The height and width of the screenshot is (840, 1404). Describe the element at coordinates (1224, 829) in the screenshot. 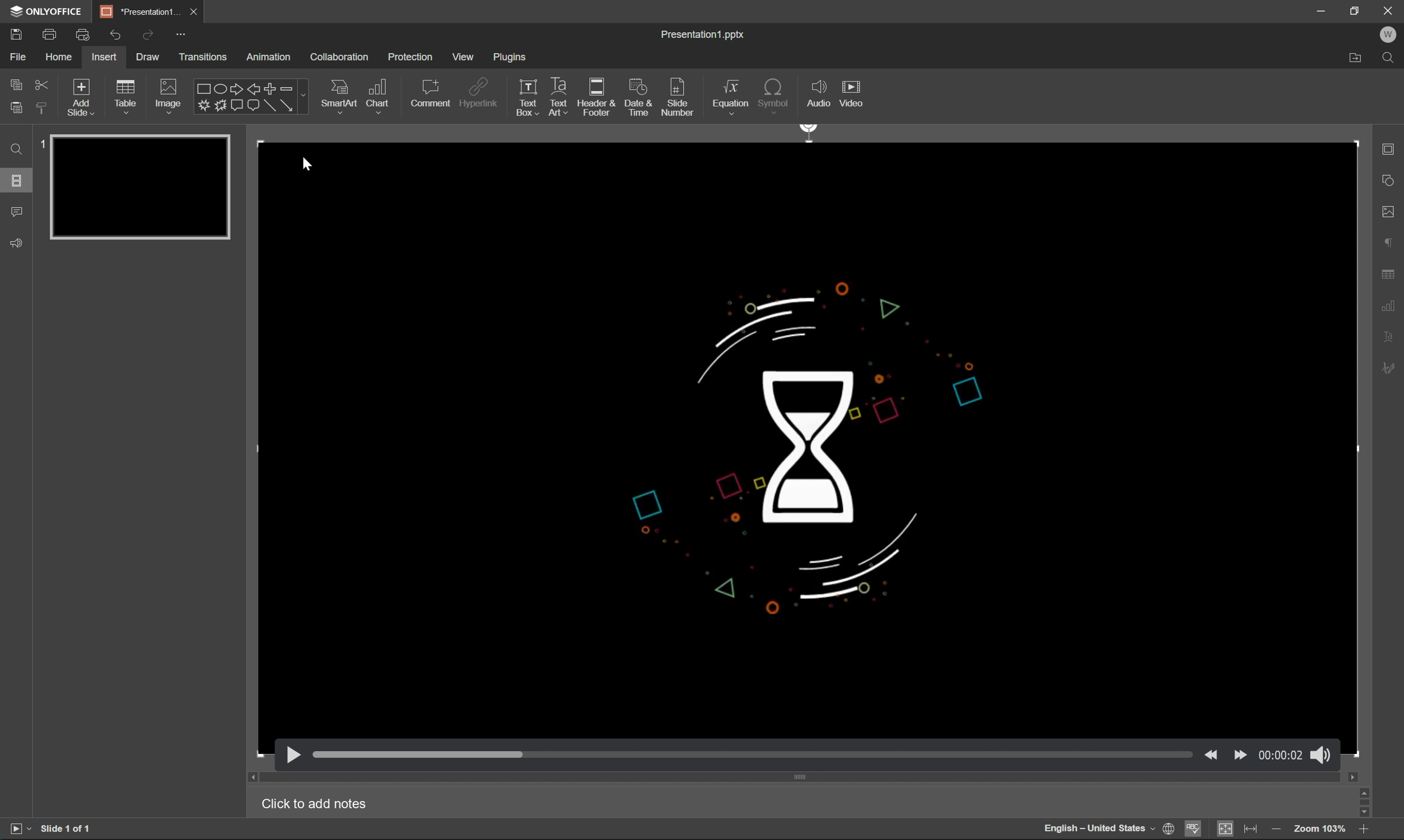

I see `fit to slide` at that location.